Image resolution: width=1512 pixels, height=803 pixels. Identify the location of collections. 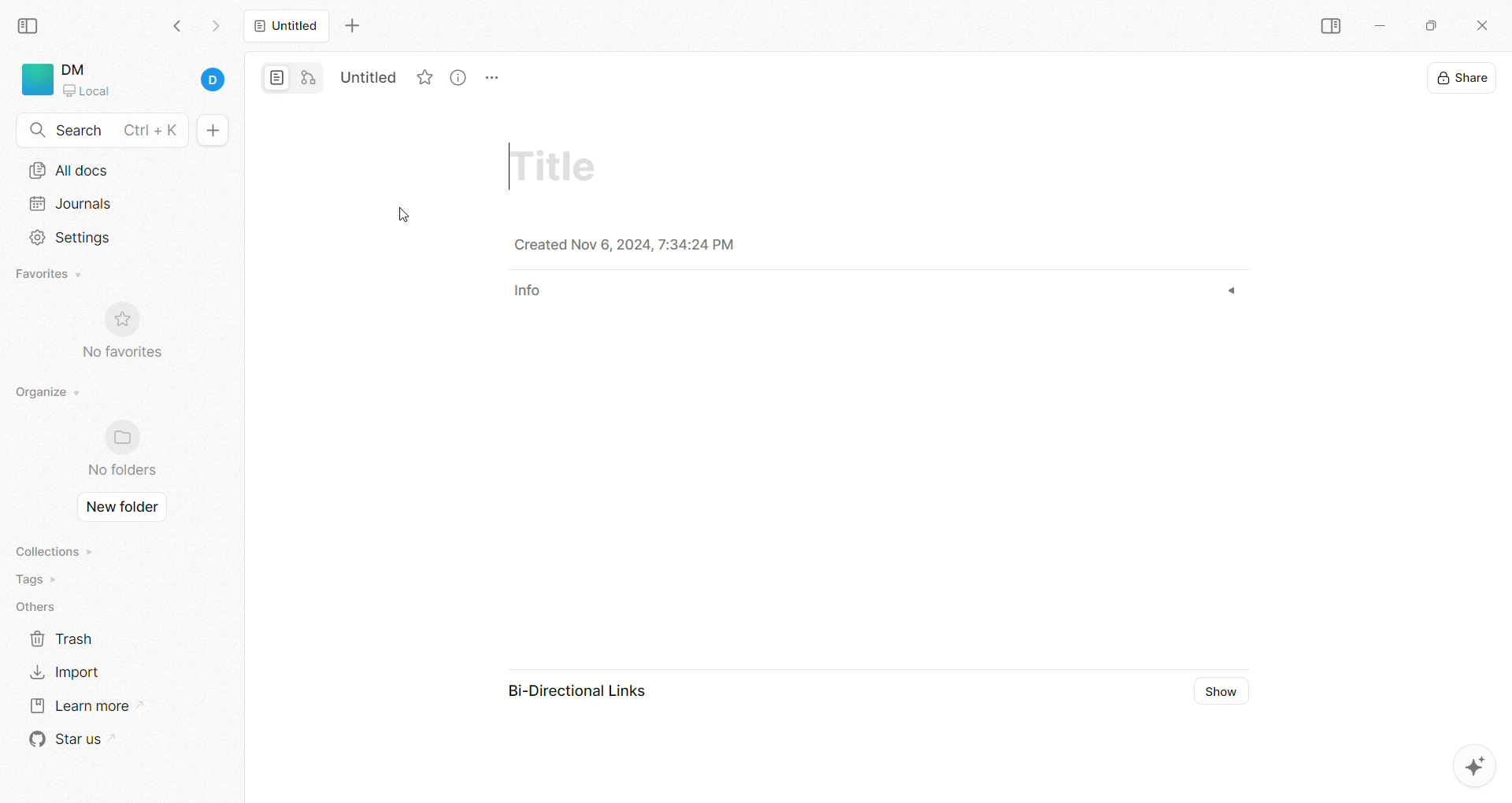
(51, 551).